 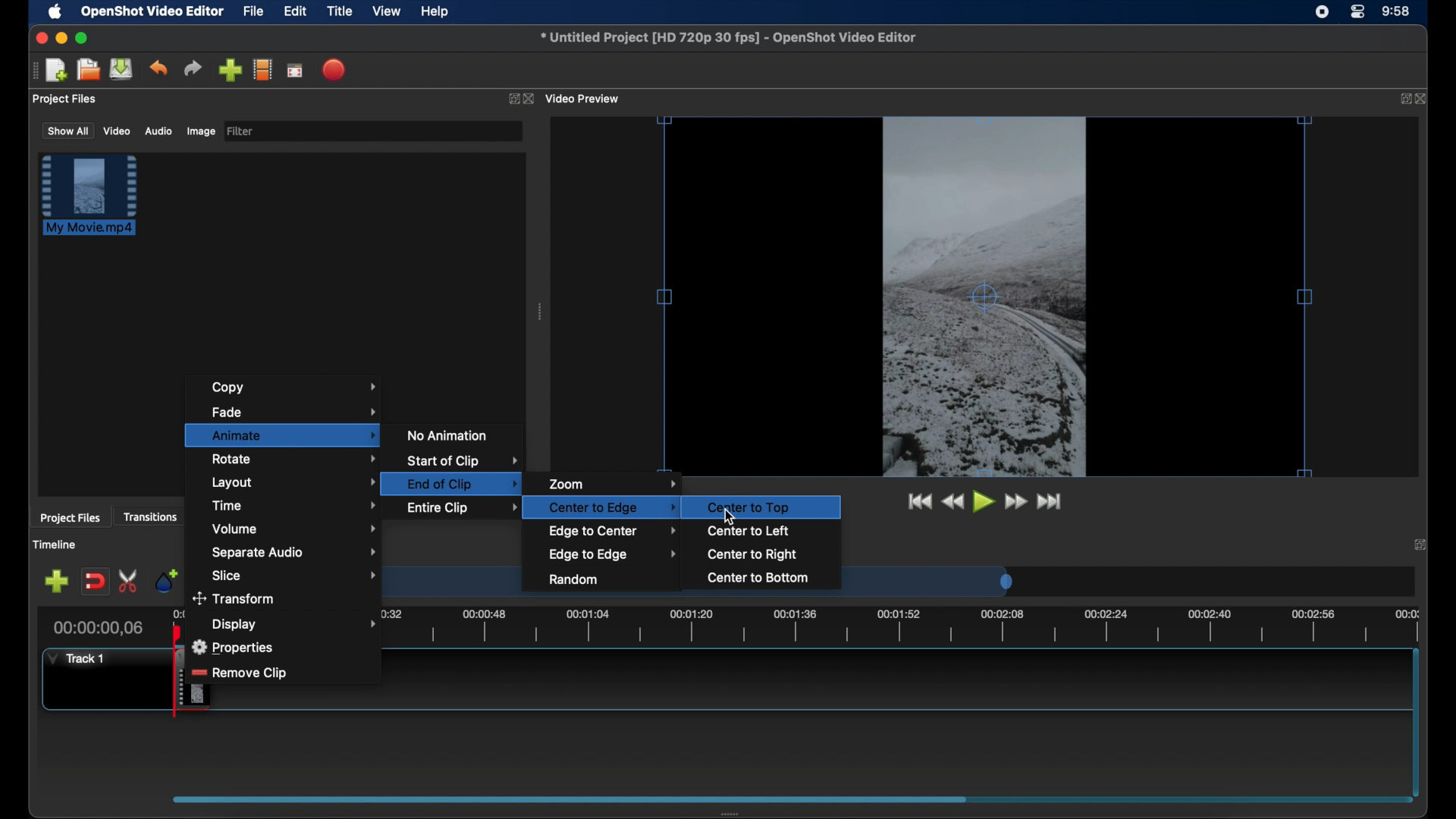 I want to click on filter, so click(x=241, y=131).